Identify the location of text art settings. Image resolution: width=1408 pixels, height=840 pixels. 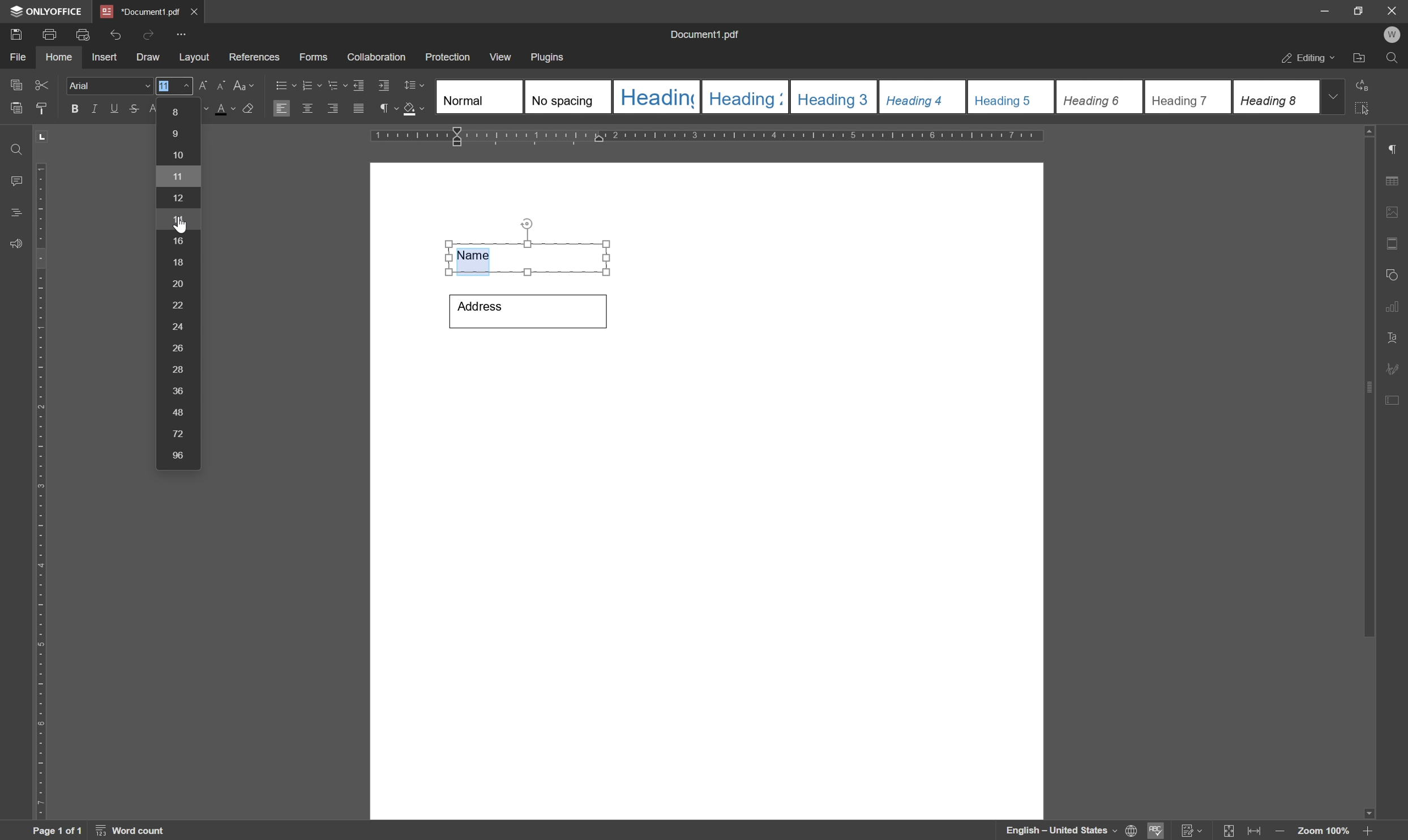
(1397, 338).